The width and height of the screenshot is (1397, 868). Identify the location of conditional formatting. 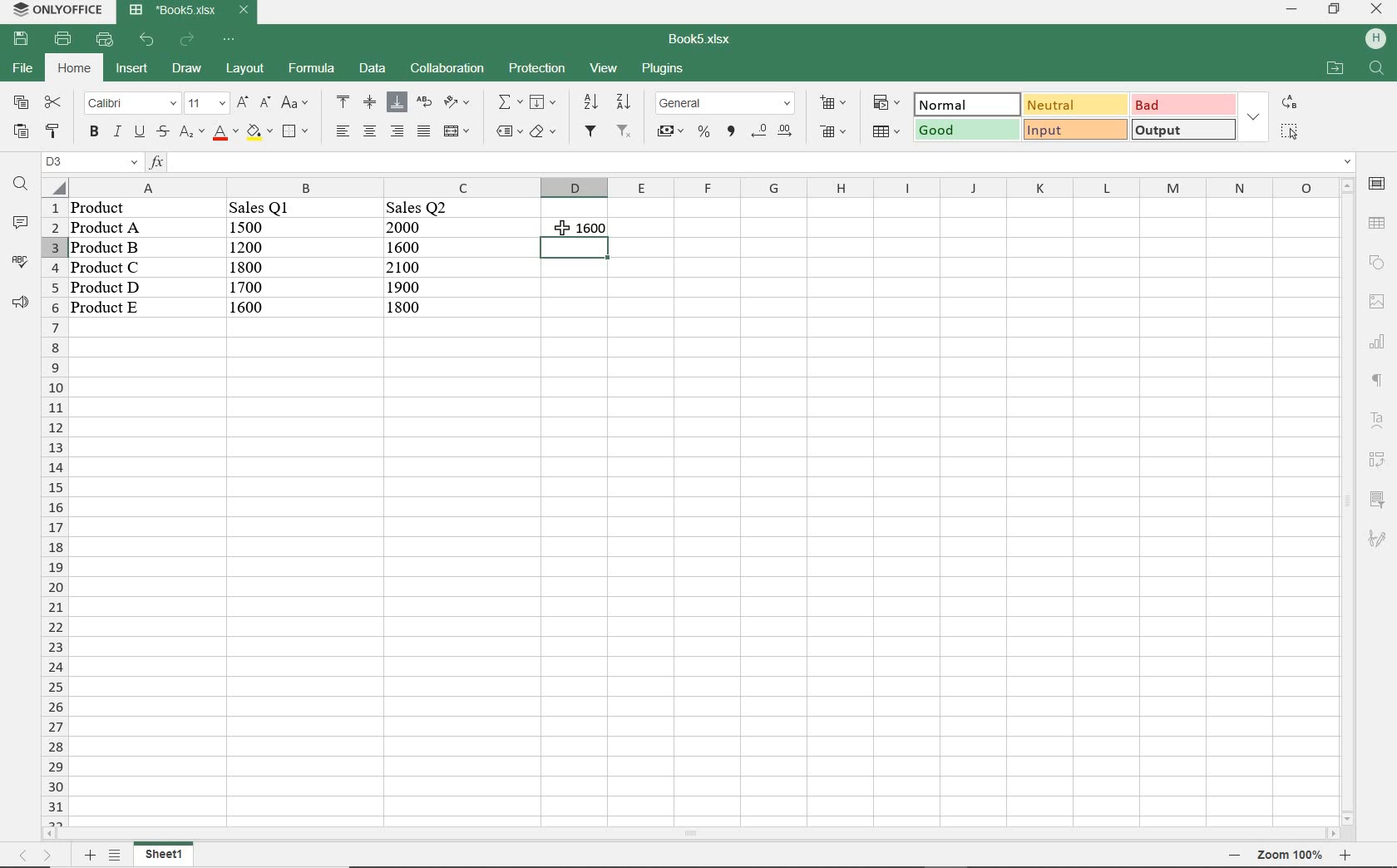
(887, 104).